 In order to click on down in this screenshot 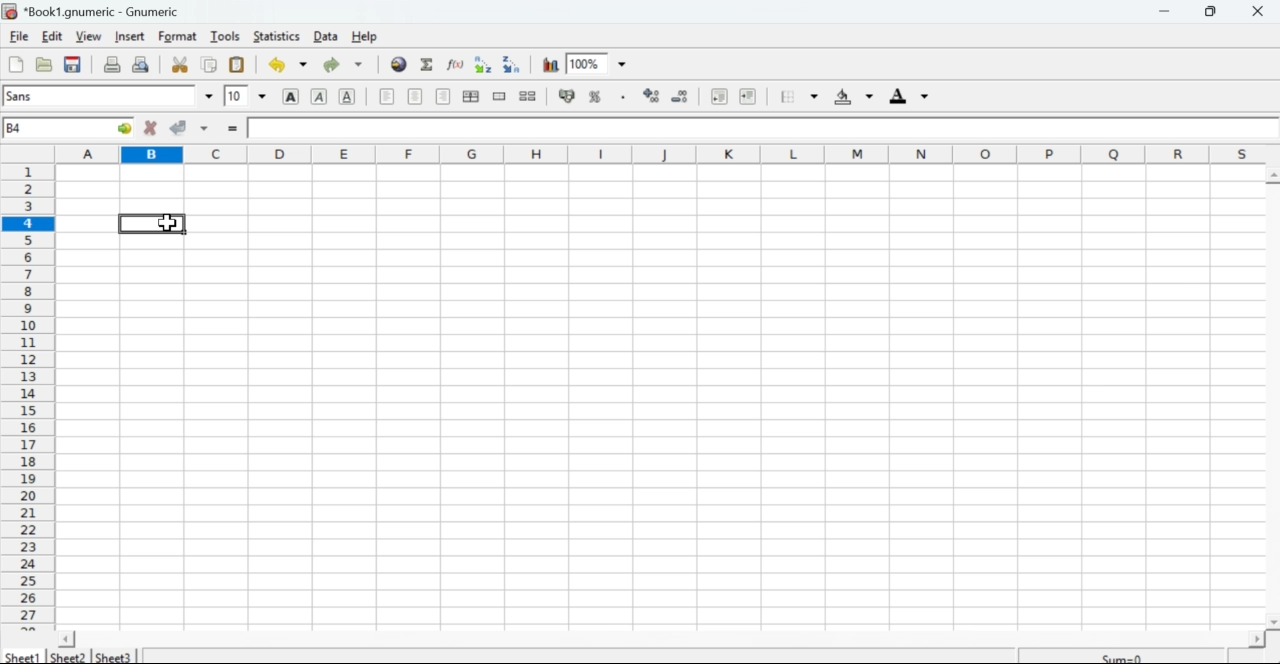, I will do `click(264, 96)`.